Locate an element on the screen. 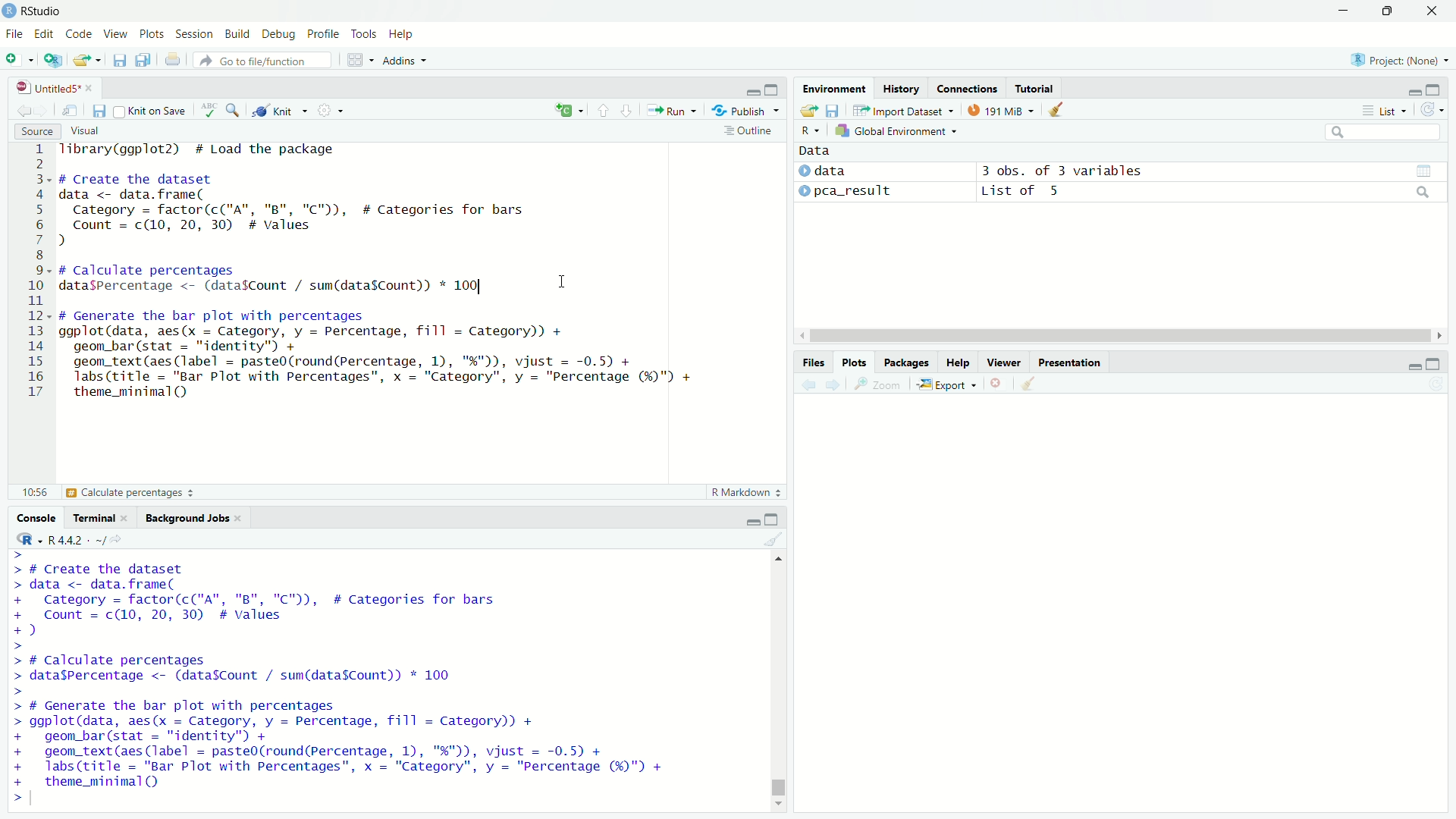 The height and width of the screenshot is (819, 1456). profile is located at coordinates (325, 35).